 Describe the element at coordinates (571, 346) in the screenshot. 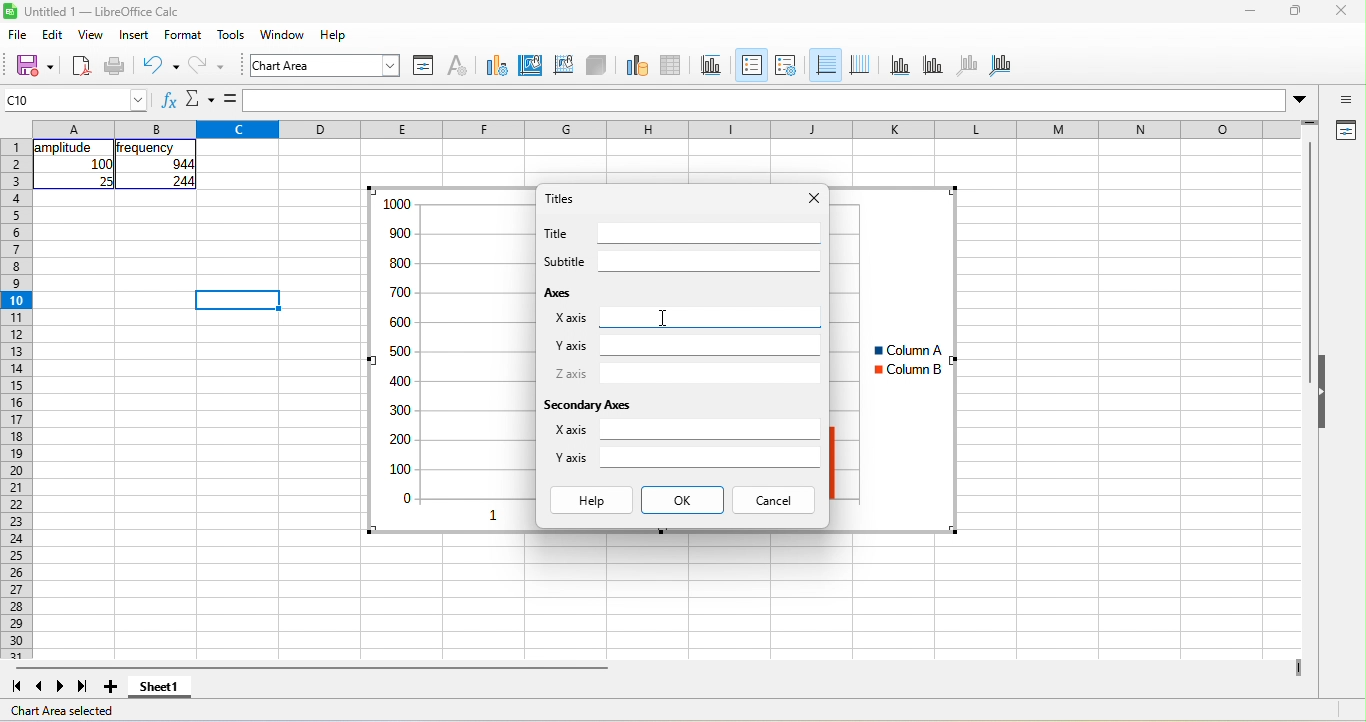

I see `Y axis` at that location.